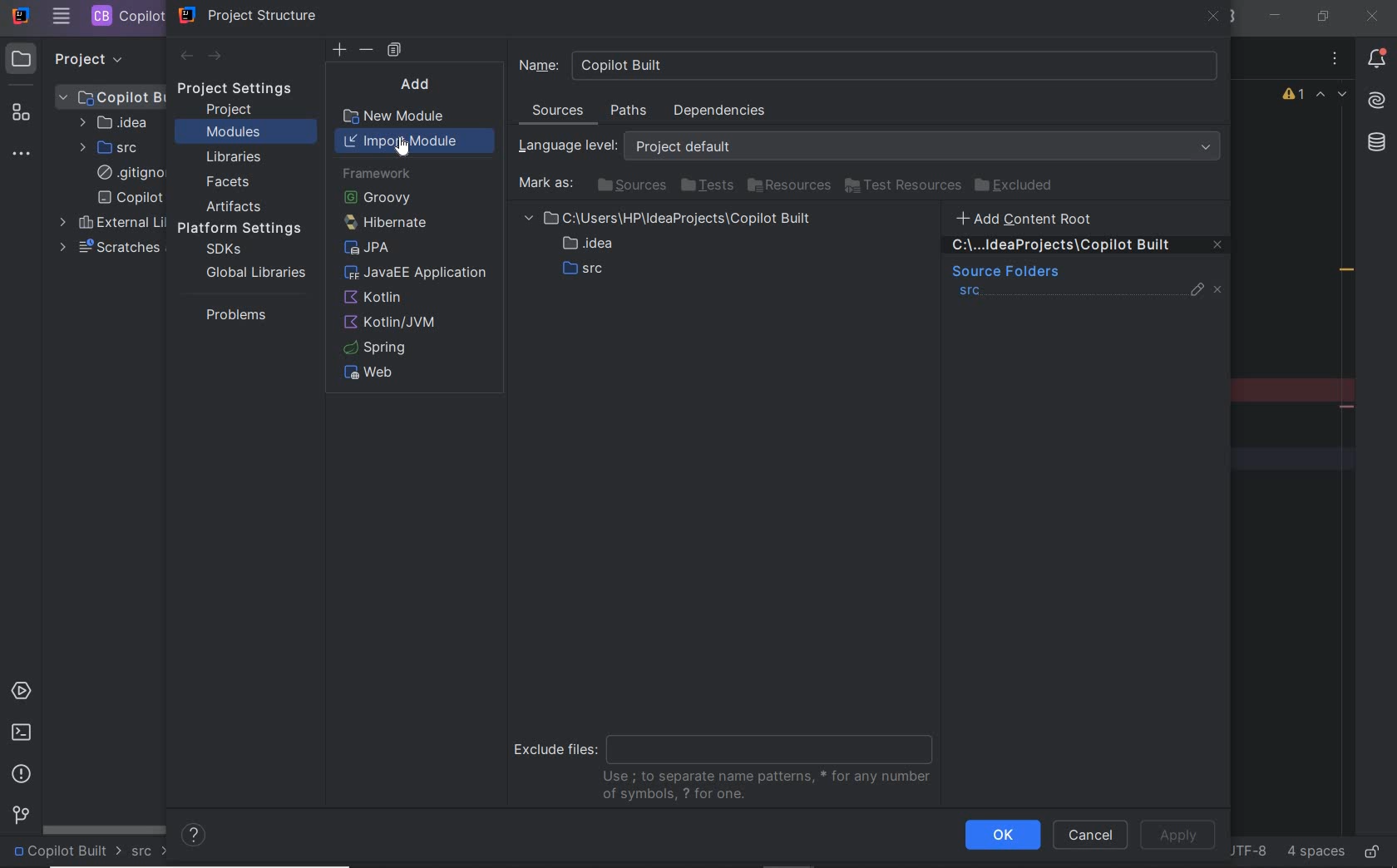 Image resolution: width=1397 pixels, height=868 pixels. I want to click on SPRING, so click(377, 348).